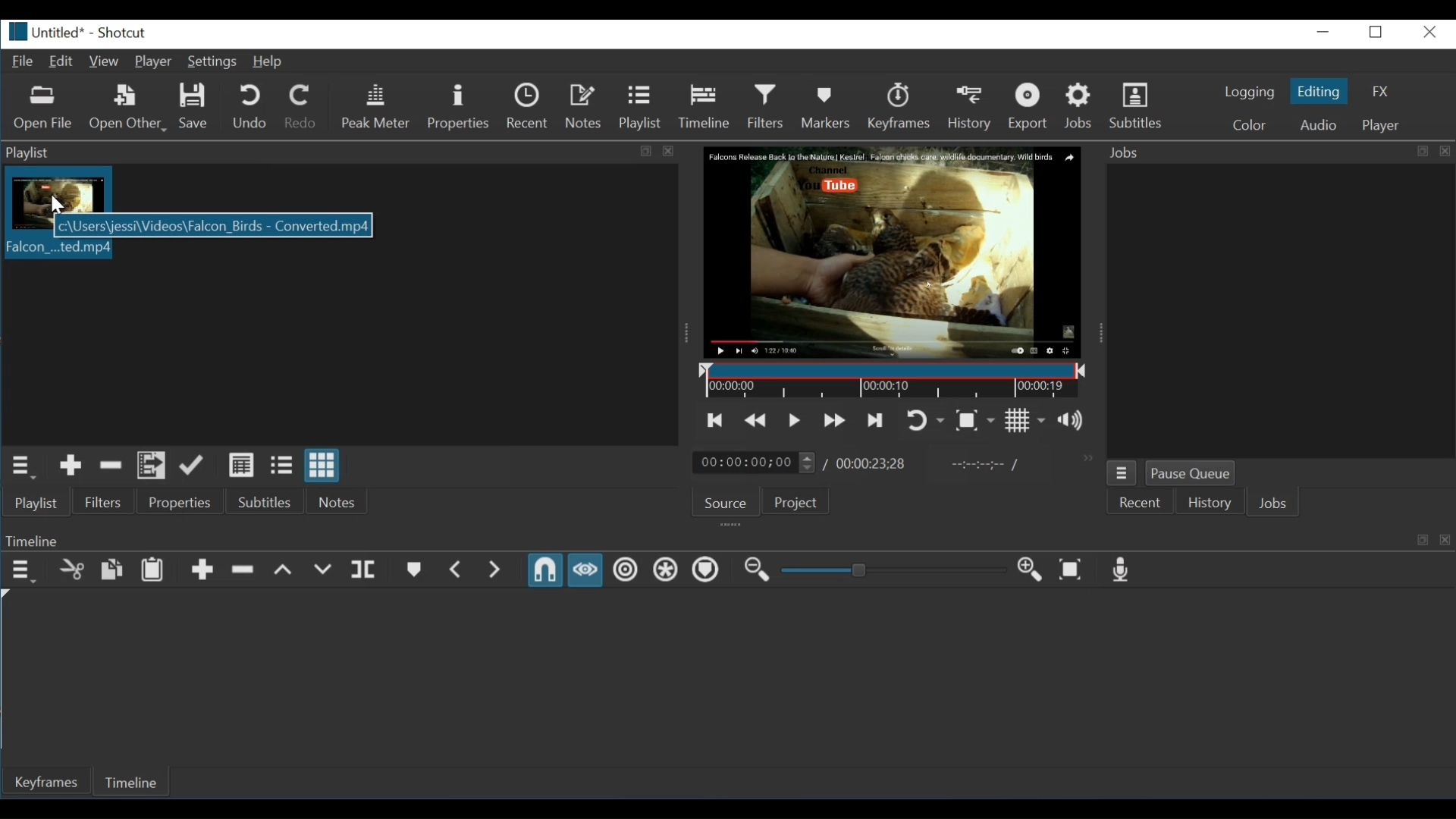 This screenshot has height=819, width=1456. I want to click on Project, so click(799, 502).